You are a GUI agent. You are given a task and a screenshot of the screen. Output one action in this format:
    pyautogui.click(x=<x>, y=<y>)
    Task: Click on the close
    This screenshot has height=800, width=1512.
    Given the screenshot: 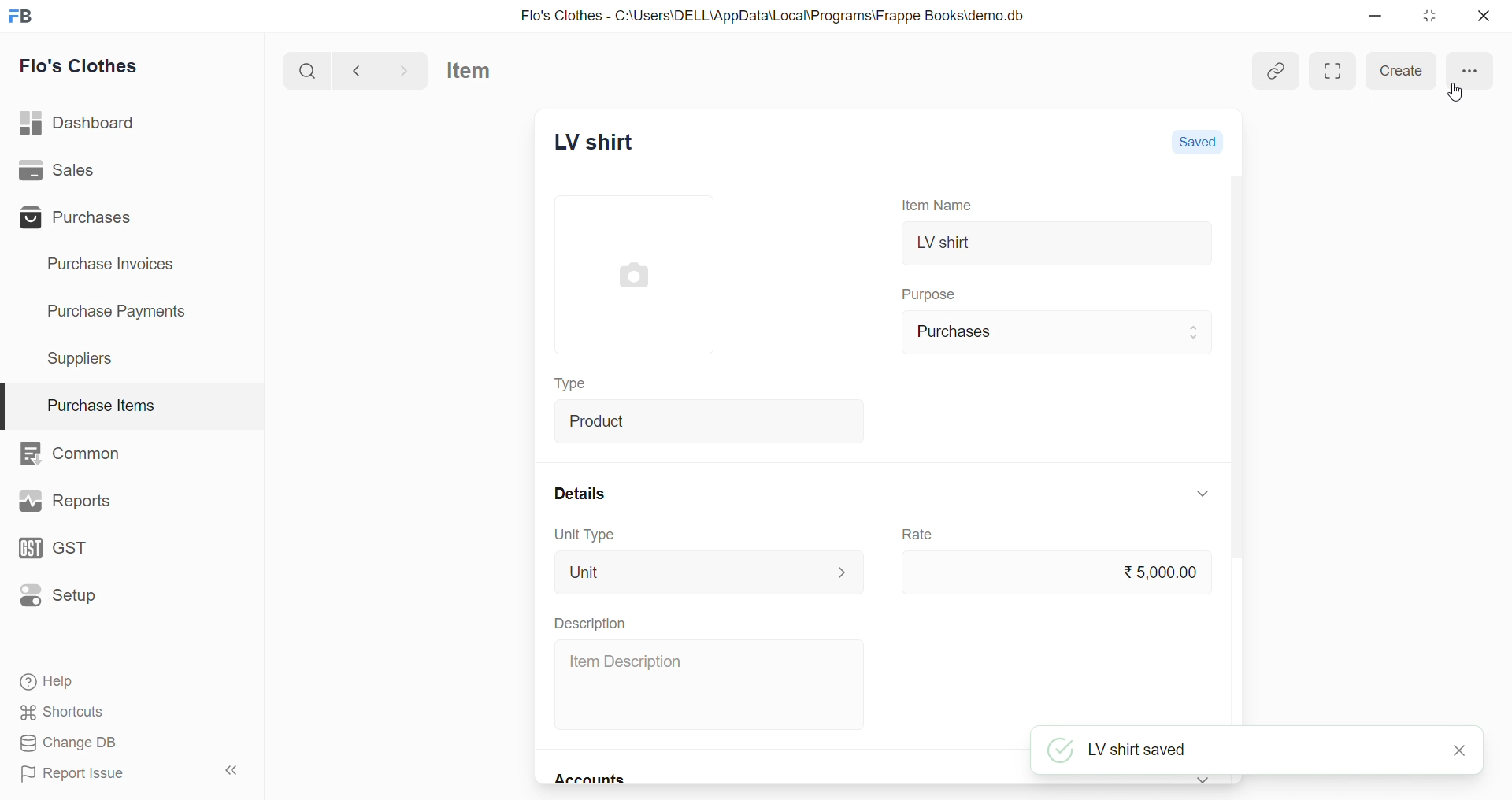 What is the action you would take?
    pyautogui.click(x=1461, y=750)
    